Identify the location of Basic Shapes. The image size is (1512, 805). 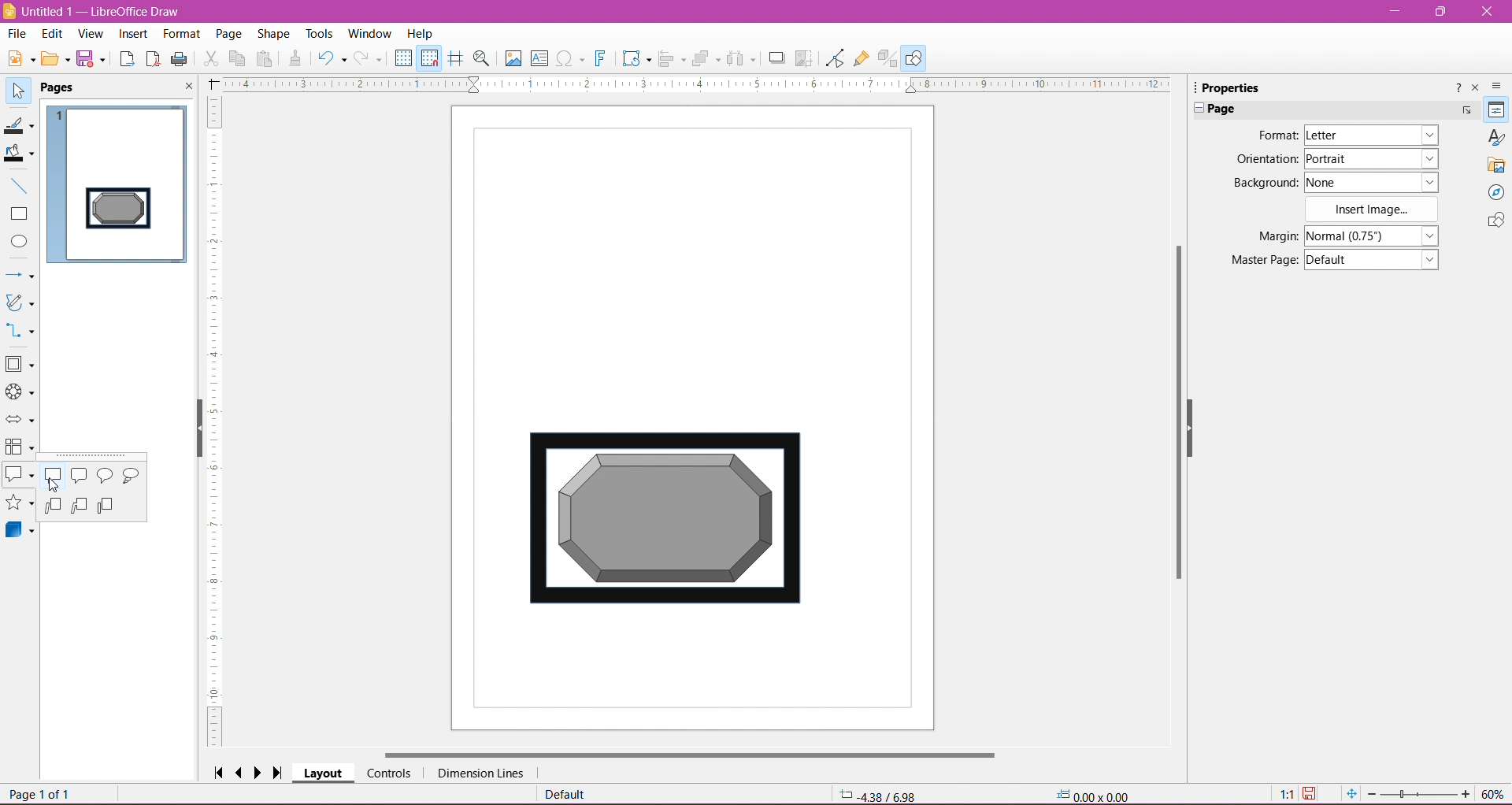
(21, 365).